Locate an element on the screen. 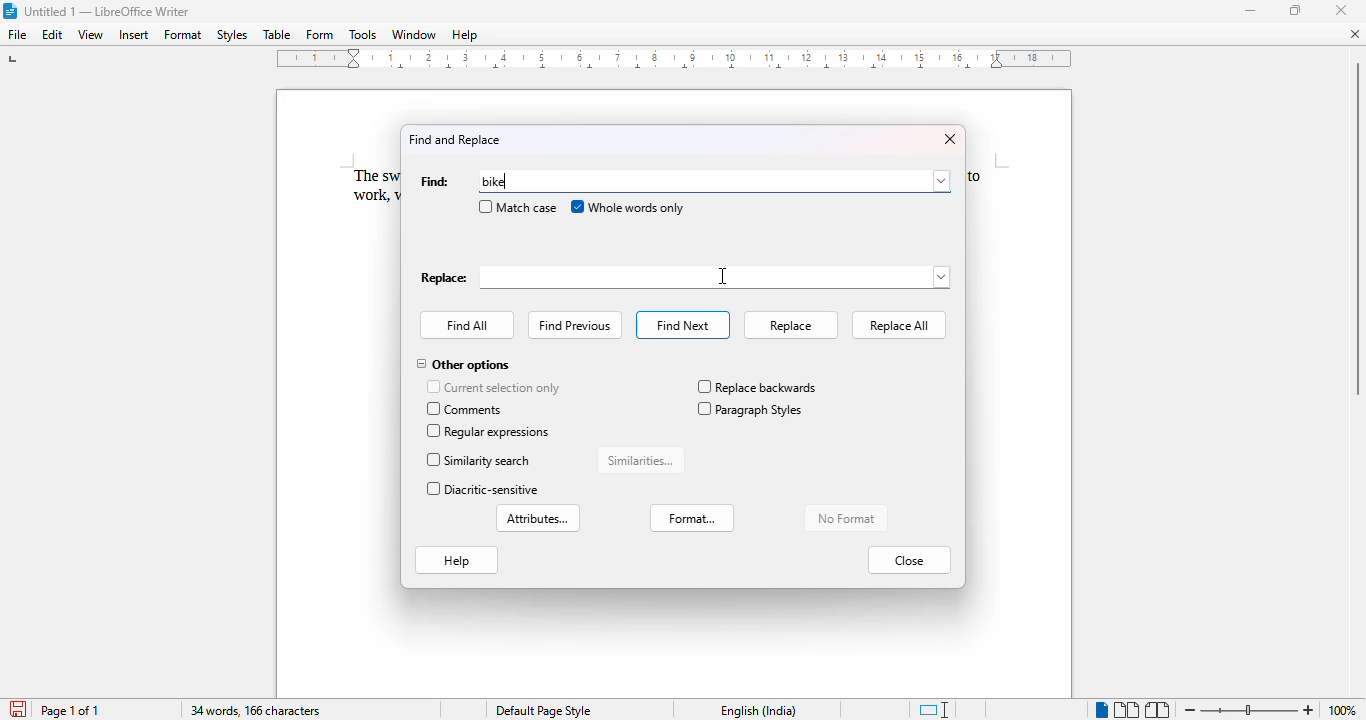 This screenshot has width=1366, height=720. table is located at coordinates (276, 35).